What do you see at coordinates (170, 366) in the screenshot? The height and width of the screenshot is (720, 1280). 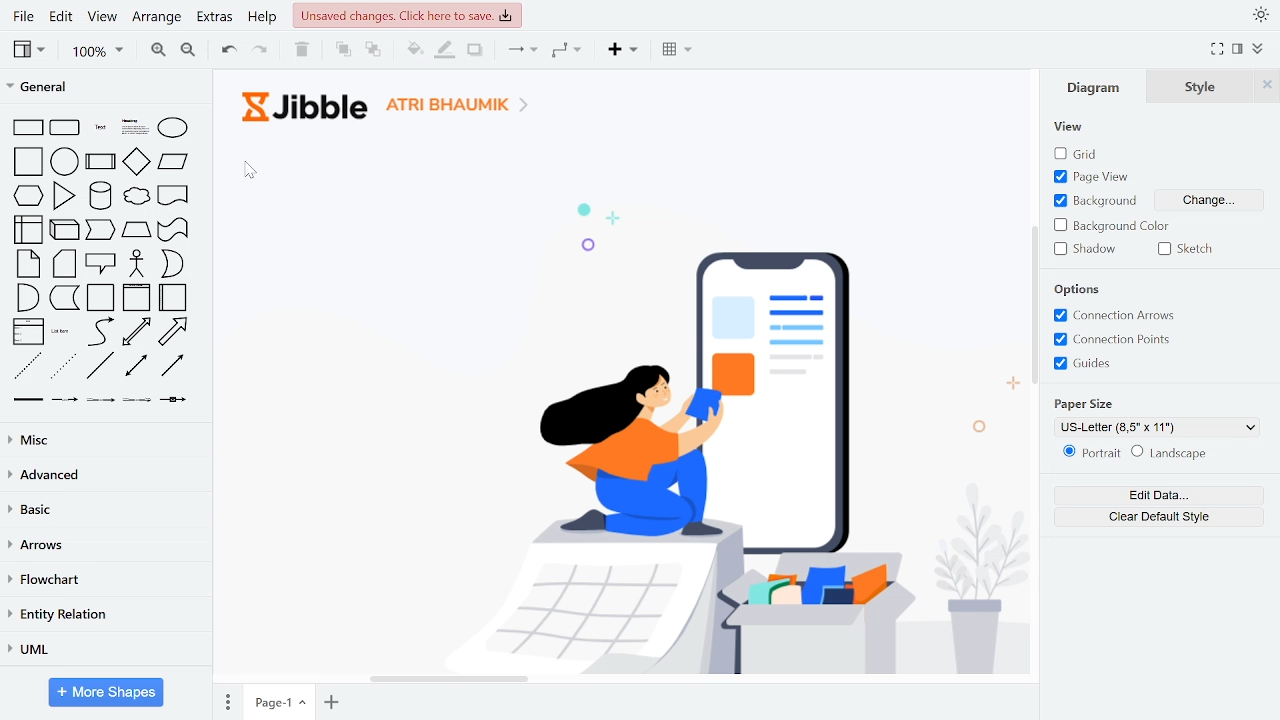 I see `general shapes` at bounding box center [170, 366].